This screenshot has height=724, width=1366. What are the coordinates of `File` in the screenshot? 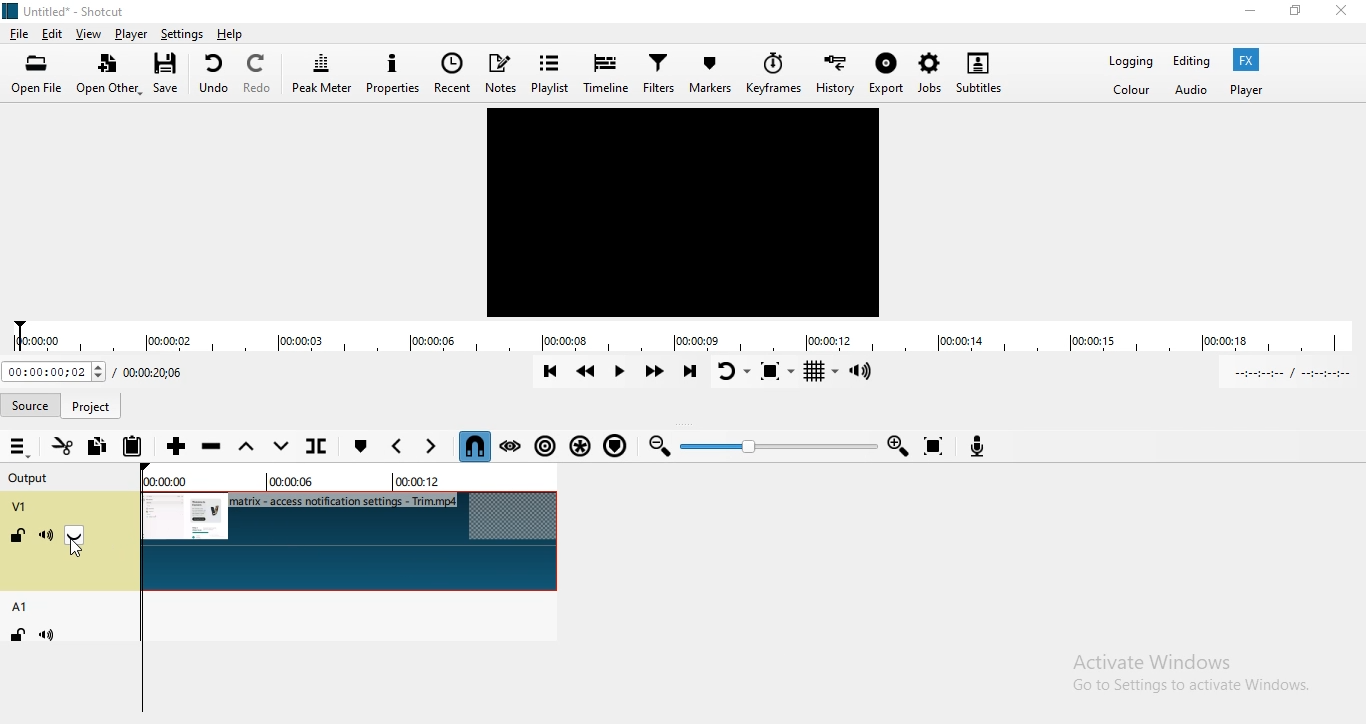 It's located at (18, 33).